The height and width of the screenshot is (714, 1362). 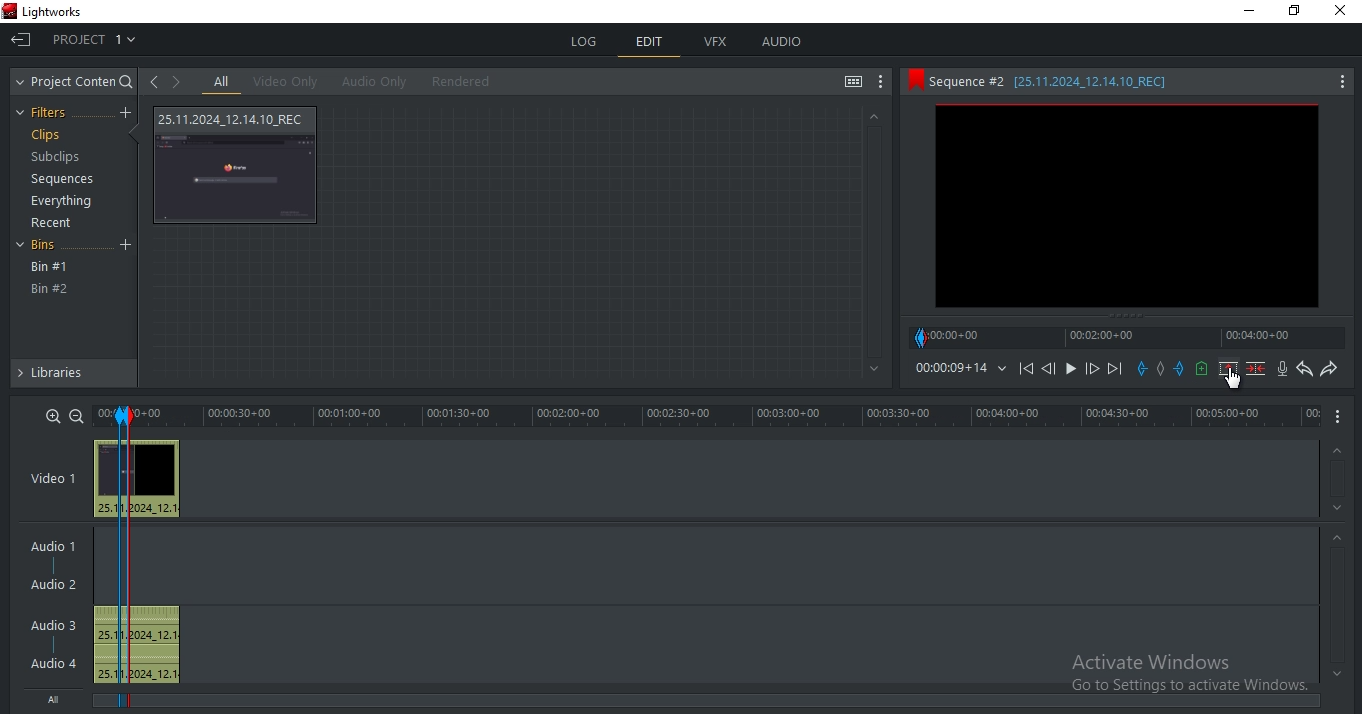 What do you see at coordinates (1342, 14) in the screenshot?
I see `Close` at bounding box center [1342, 14].